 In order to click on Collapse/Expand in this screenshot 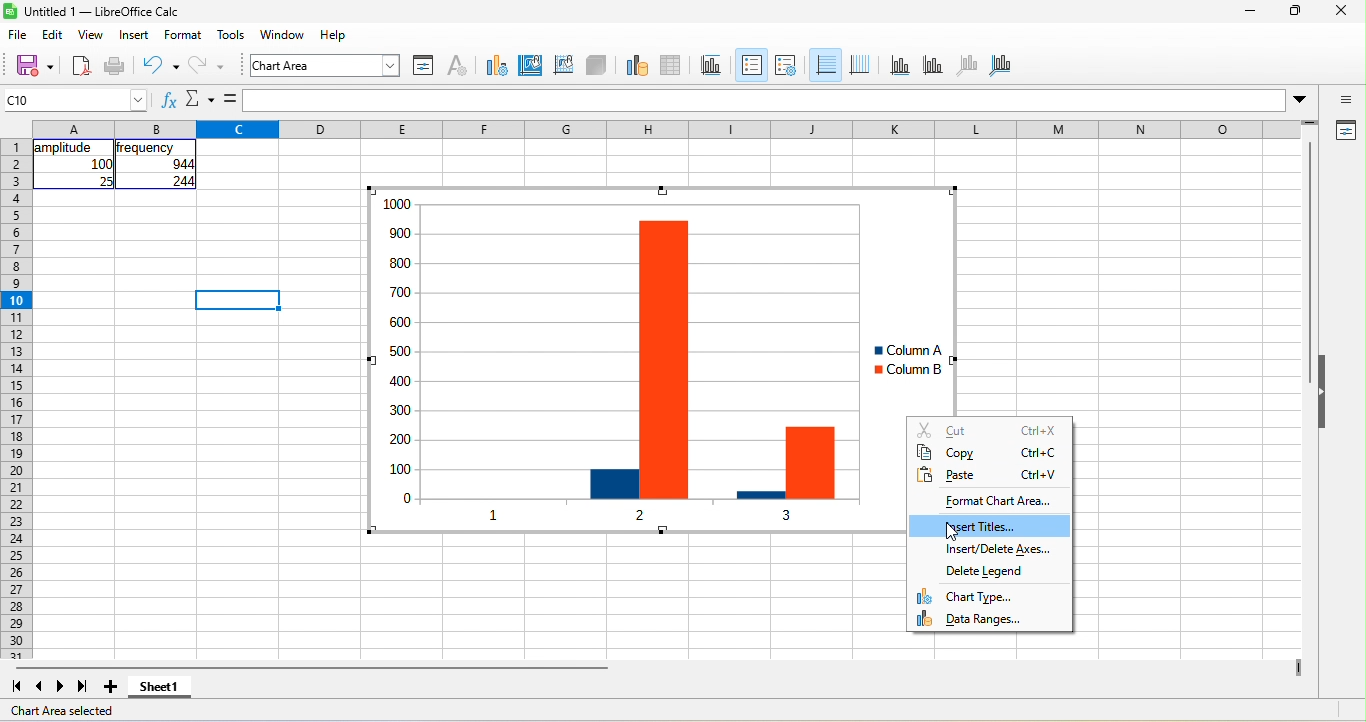, I will do `click(1322, 391)`.